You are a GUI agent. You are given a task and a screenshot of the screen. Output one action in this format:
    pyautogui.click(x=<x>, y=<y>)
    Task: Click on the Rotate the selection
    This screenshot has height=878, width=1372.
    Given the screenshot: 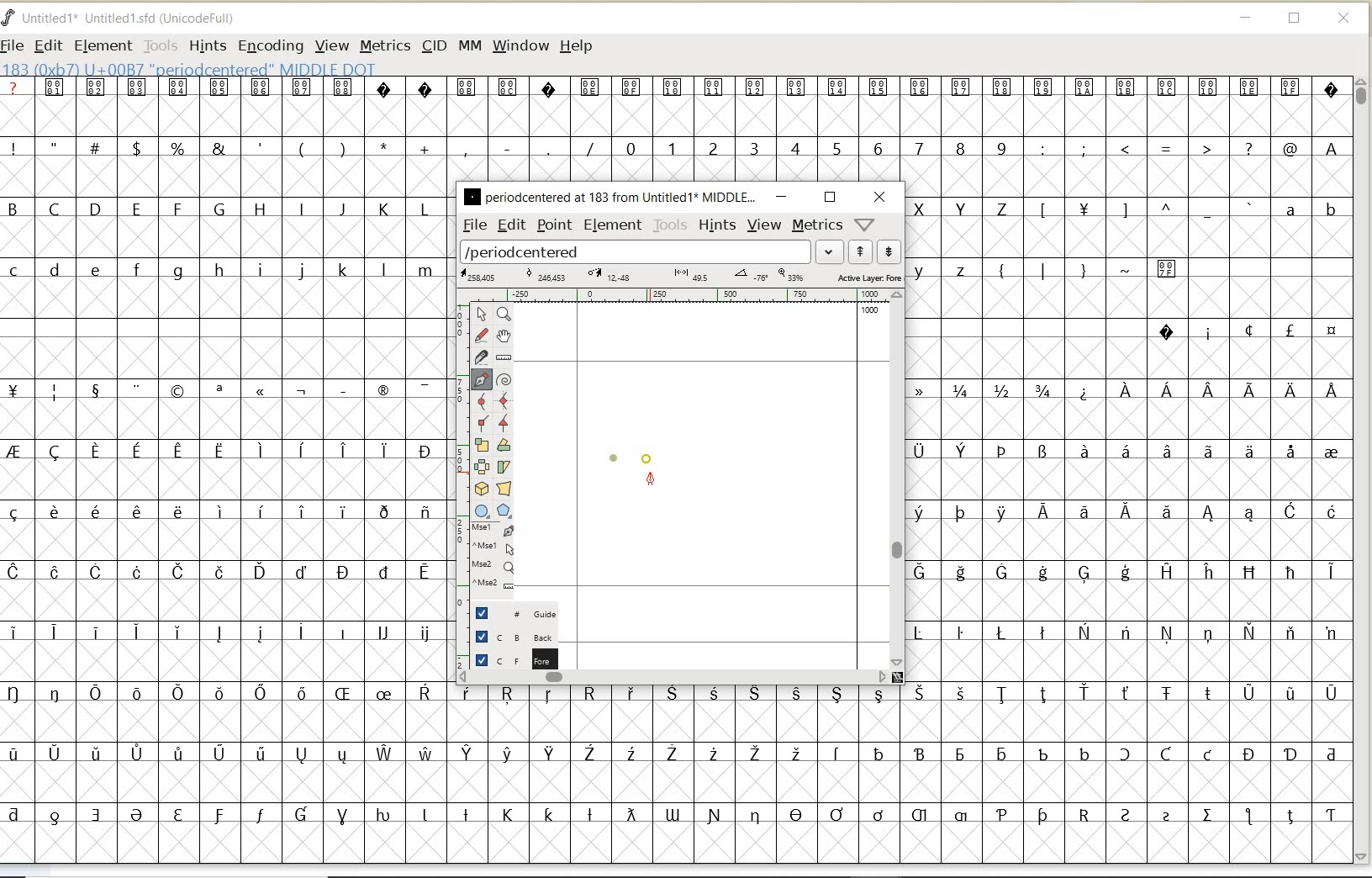 What is the action you would take?
    pyautogui.click(x=504, y=445)
    